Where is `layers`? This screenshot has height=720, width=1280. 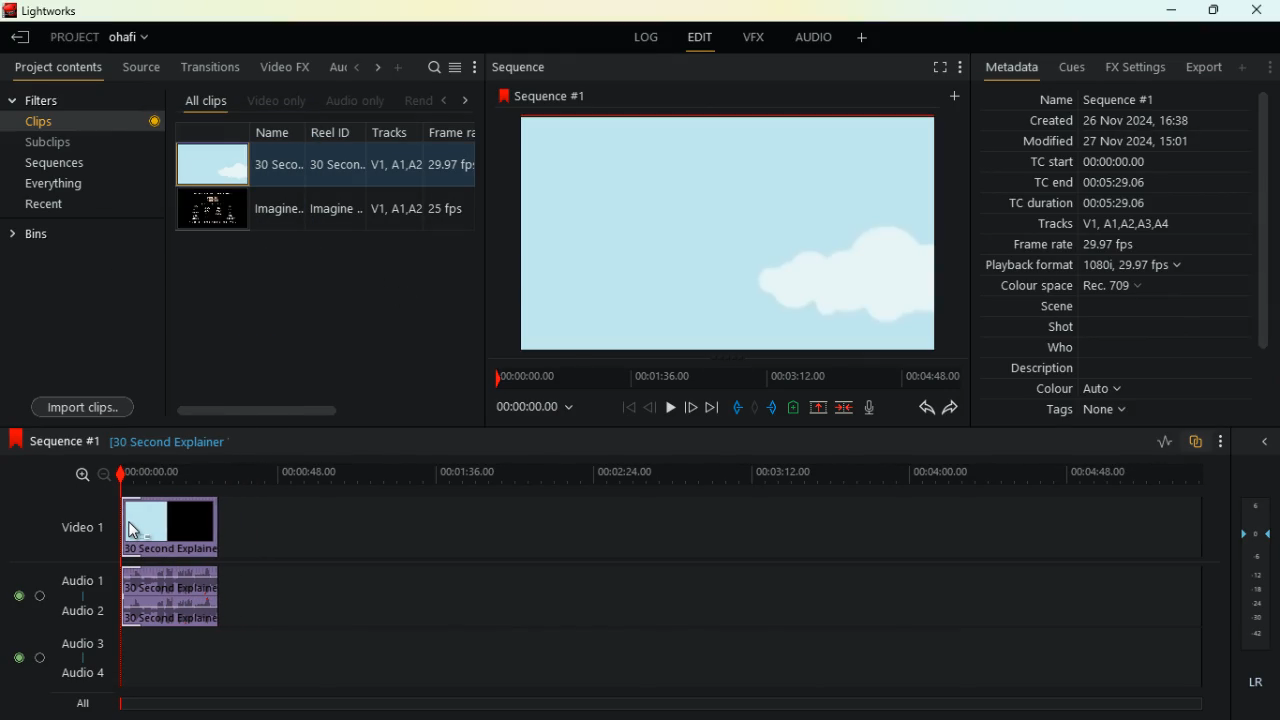 layers is located at coordinates (1254, 571).